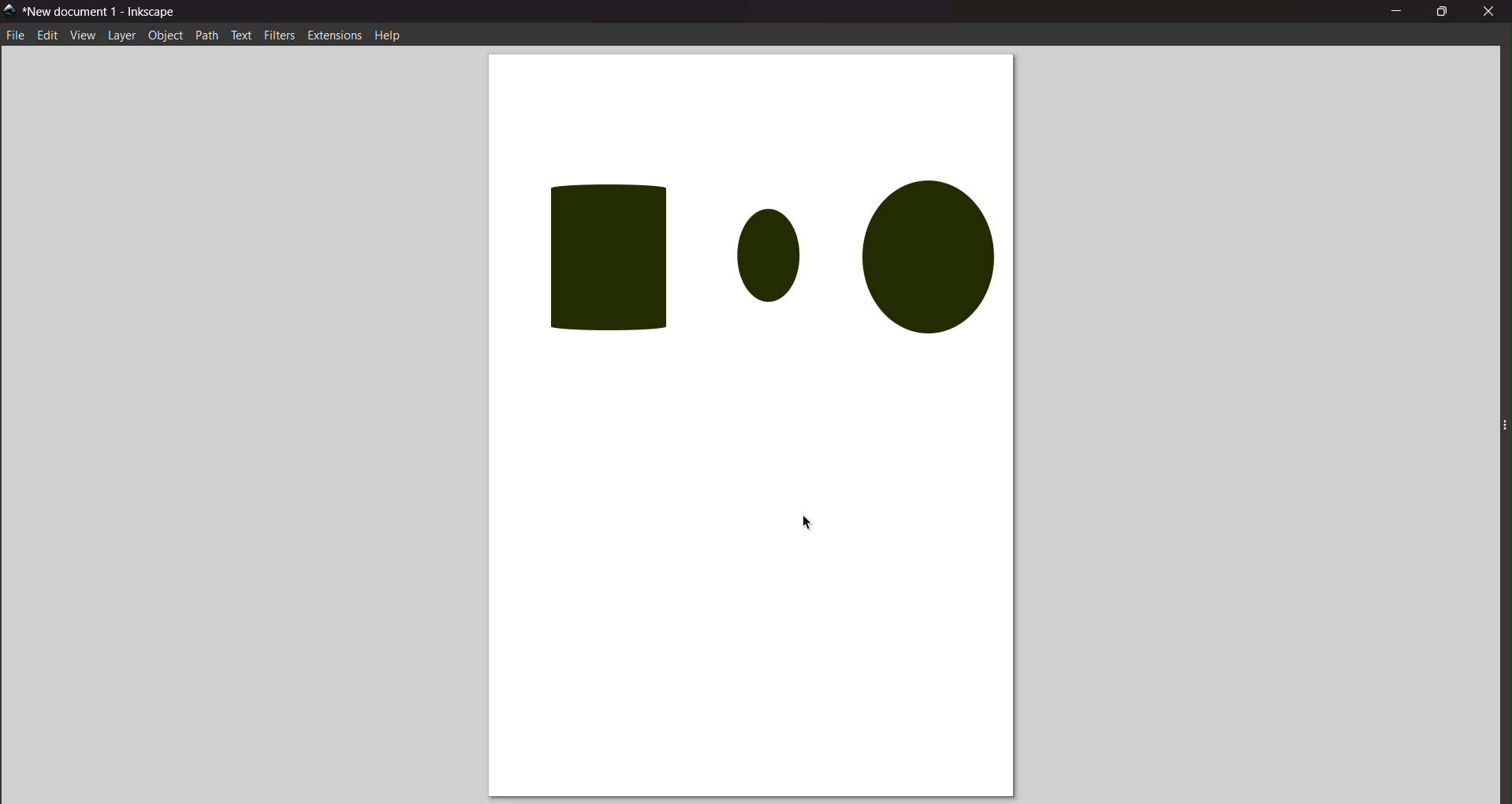  What do you see at coordinates (165, 35) in the screenshot?
I see `object` at bounding box center [165, 35].